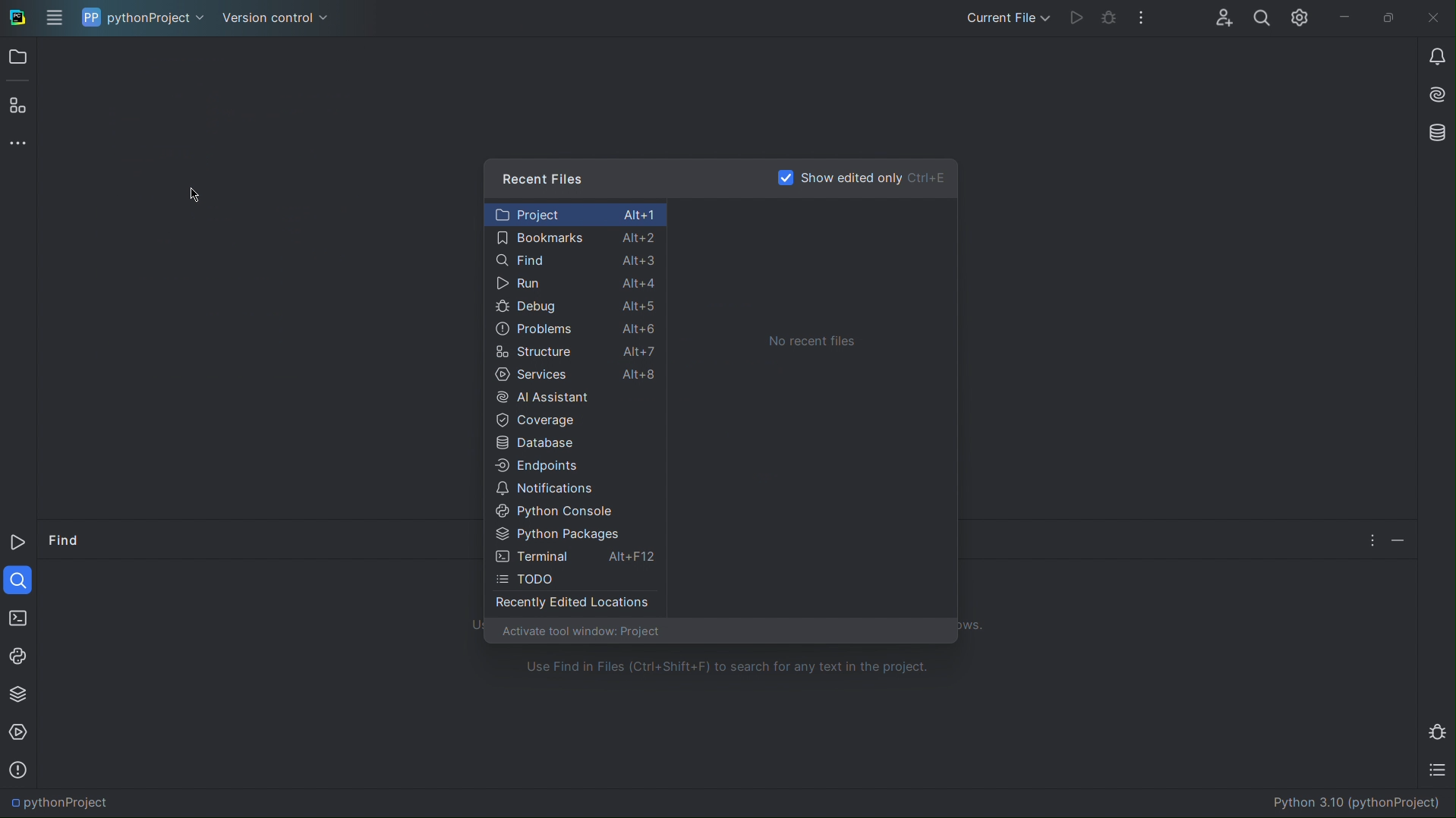 The width and height of the screenshot is (1456, 818). Describe the element at coordinates (576, 420) in the screenshot. I see `Coverage` at that location.